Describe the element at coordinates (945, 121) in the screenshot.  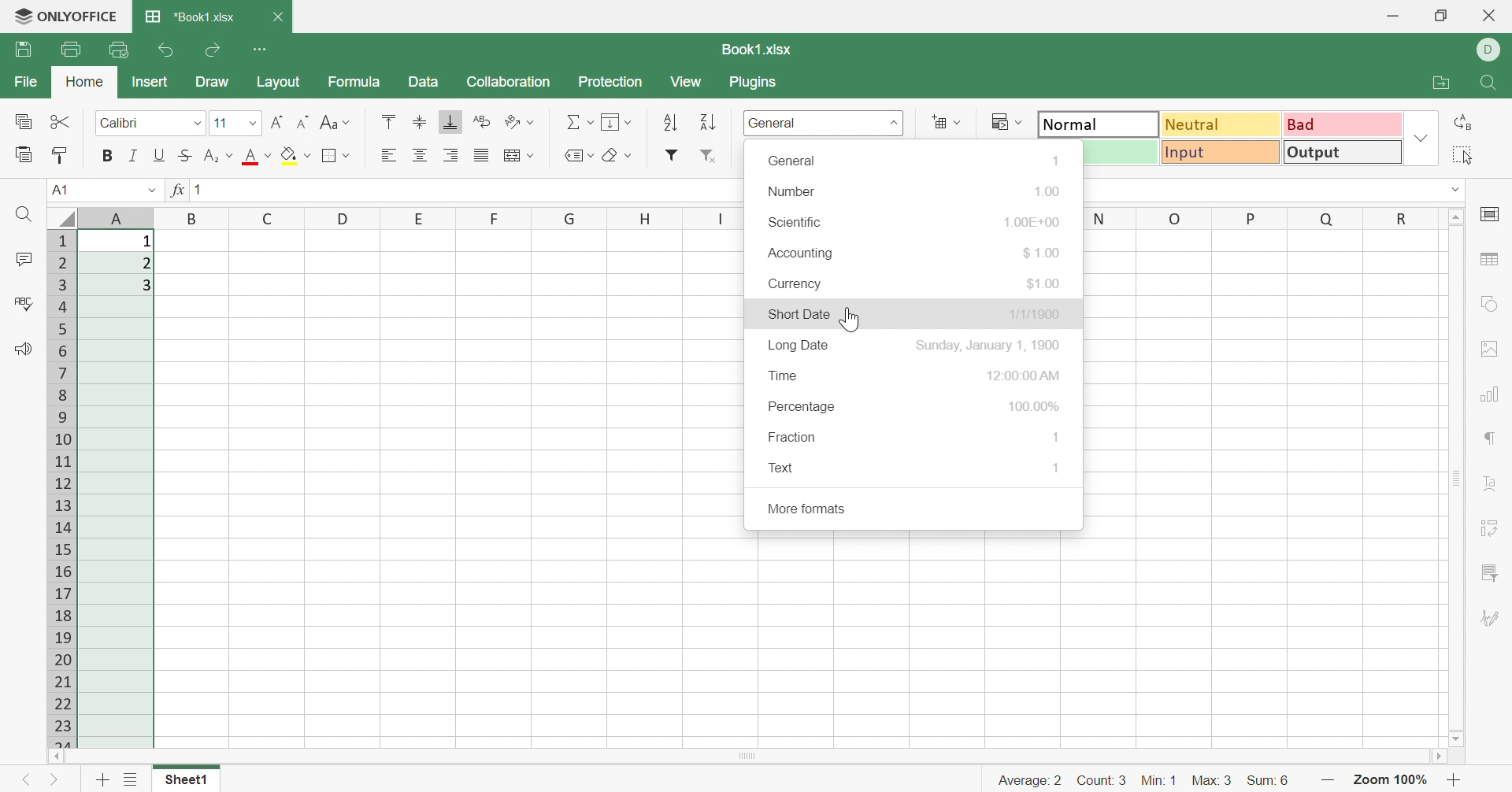
I see `Add cells` at that location.